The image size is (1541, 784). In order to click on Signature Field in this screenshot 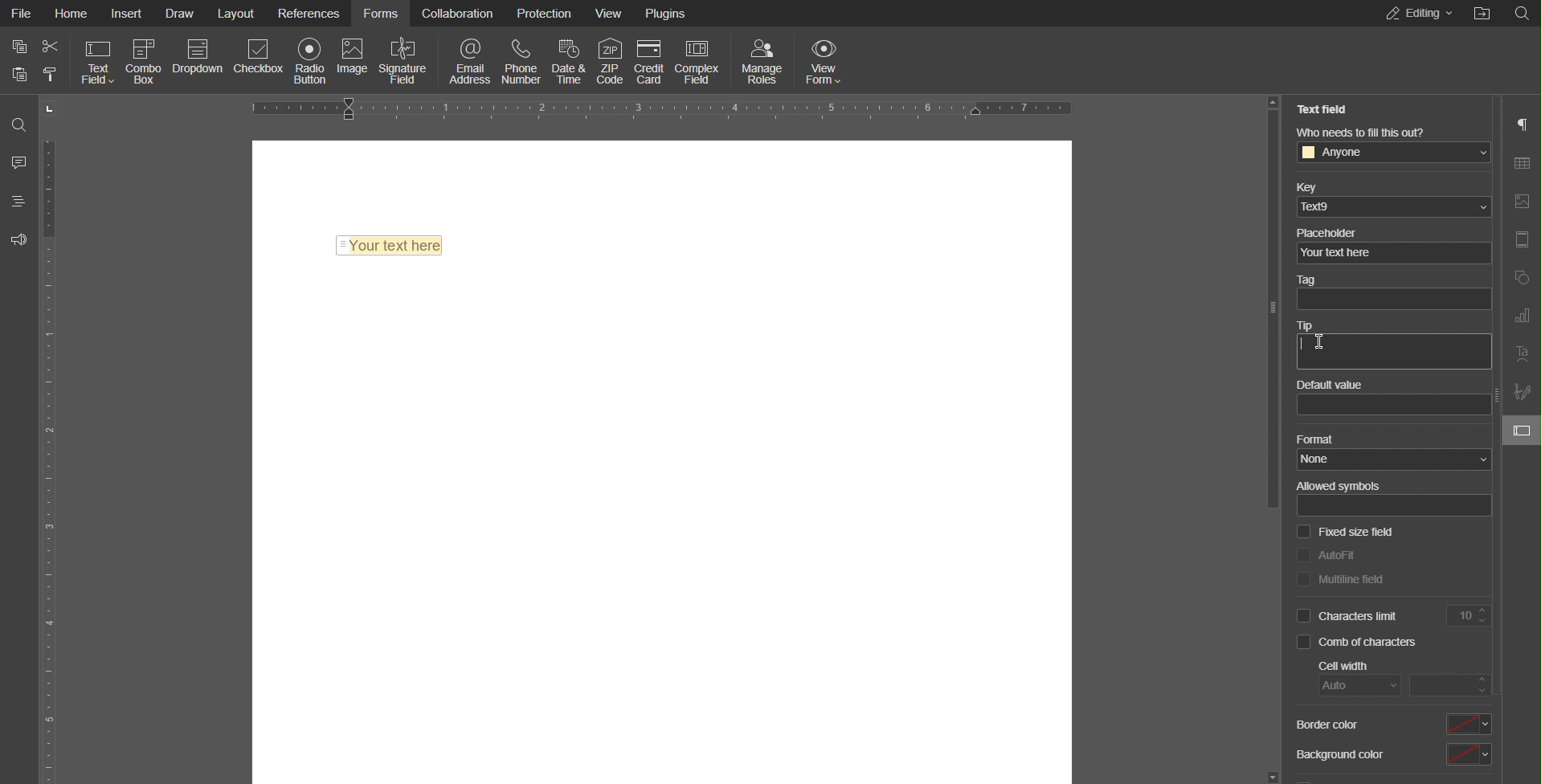, I will do `click(407, 60)`.